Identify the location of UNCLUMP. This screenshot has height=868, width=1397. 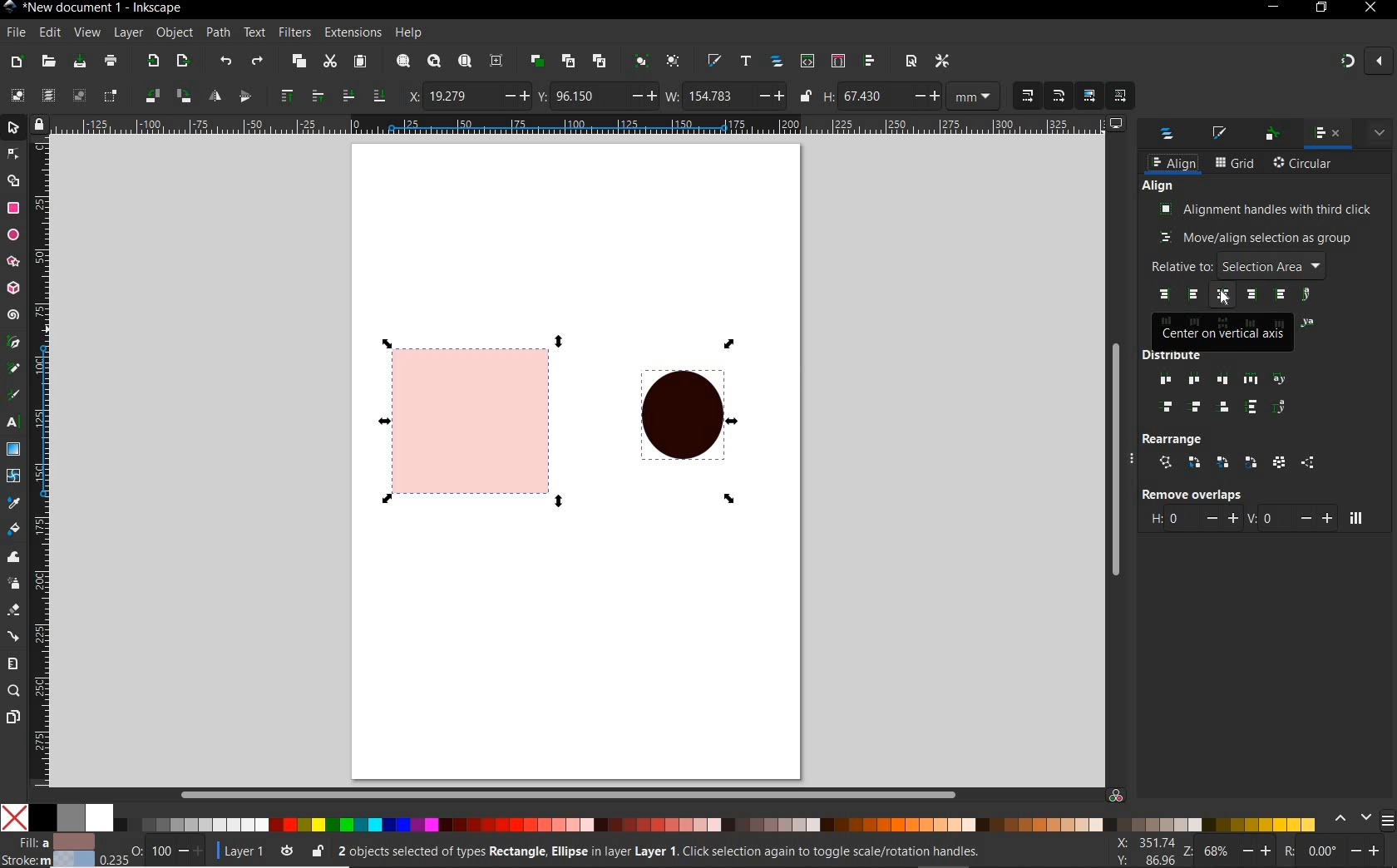
(1307, 463).